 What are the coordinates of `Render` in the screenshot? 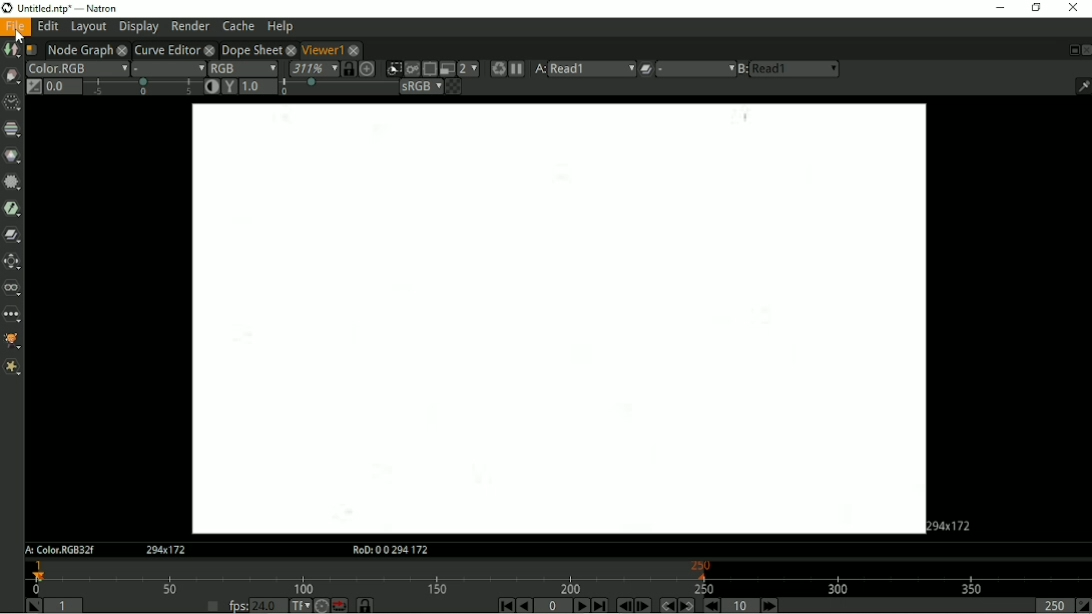 It's located at (191, 26).